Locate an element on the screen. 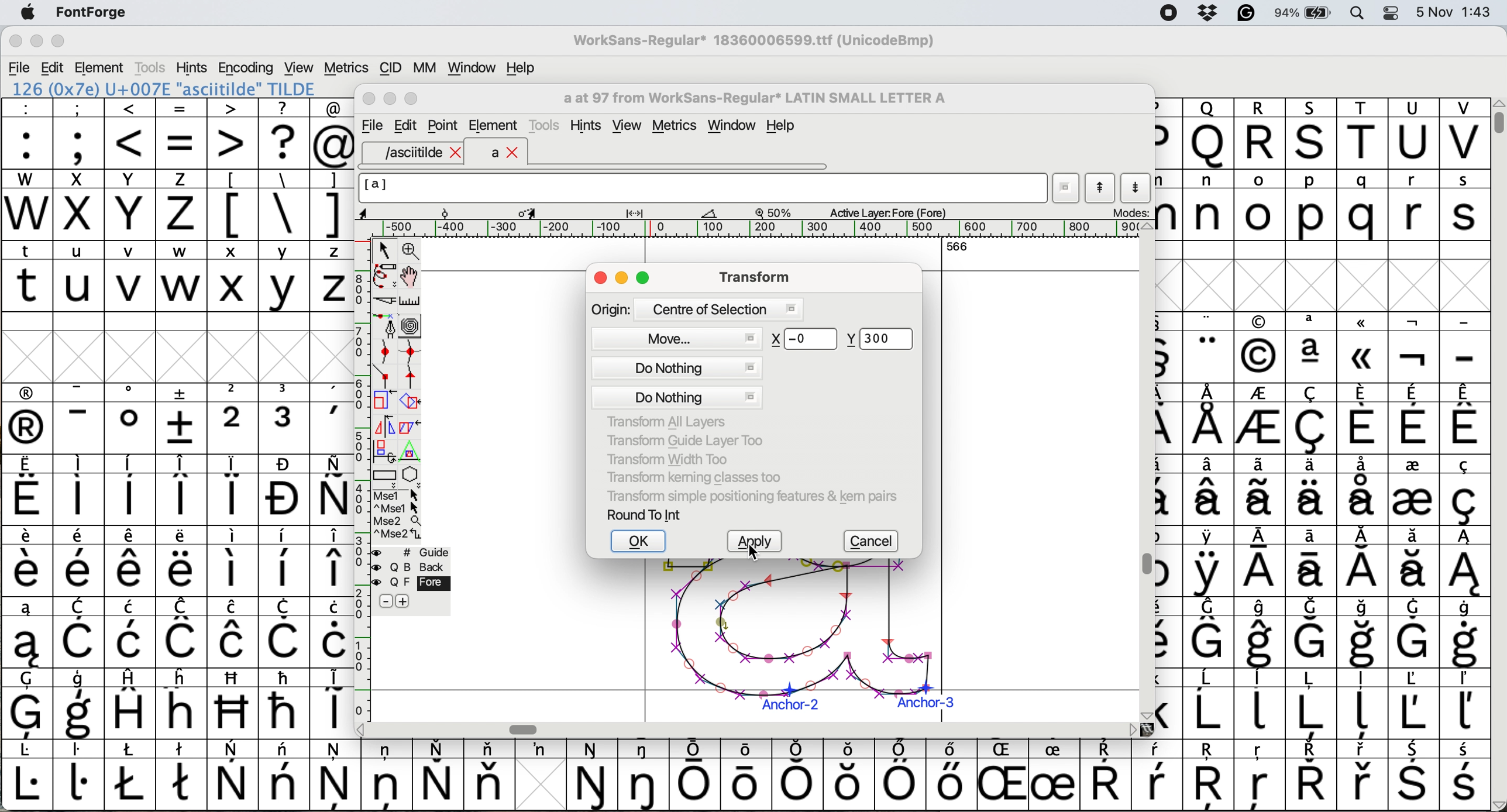 This screenshot has width=1507, height=812. origin is located at coordinates (696, 308).